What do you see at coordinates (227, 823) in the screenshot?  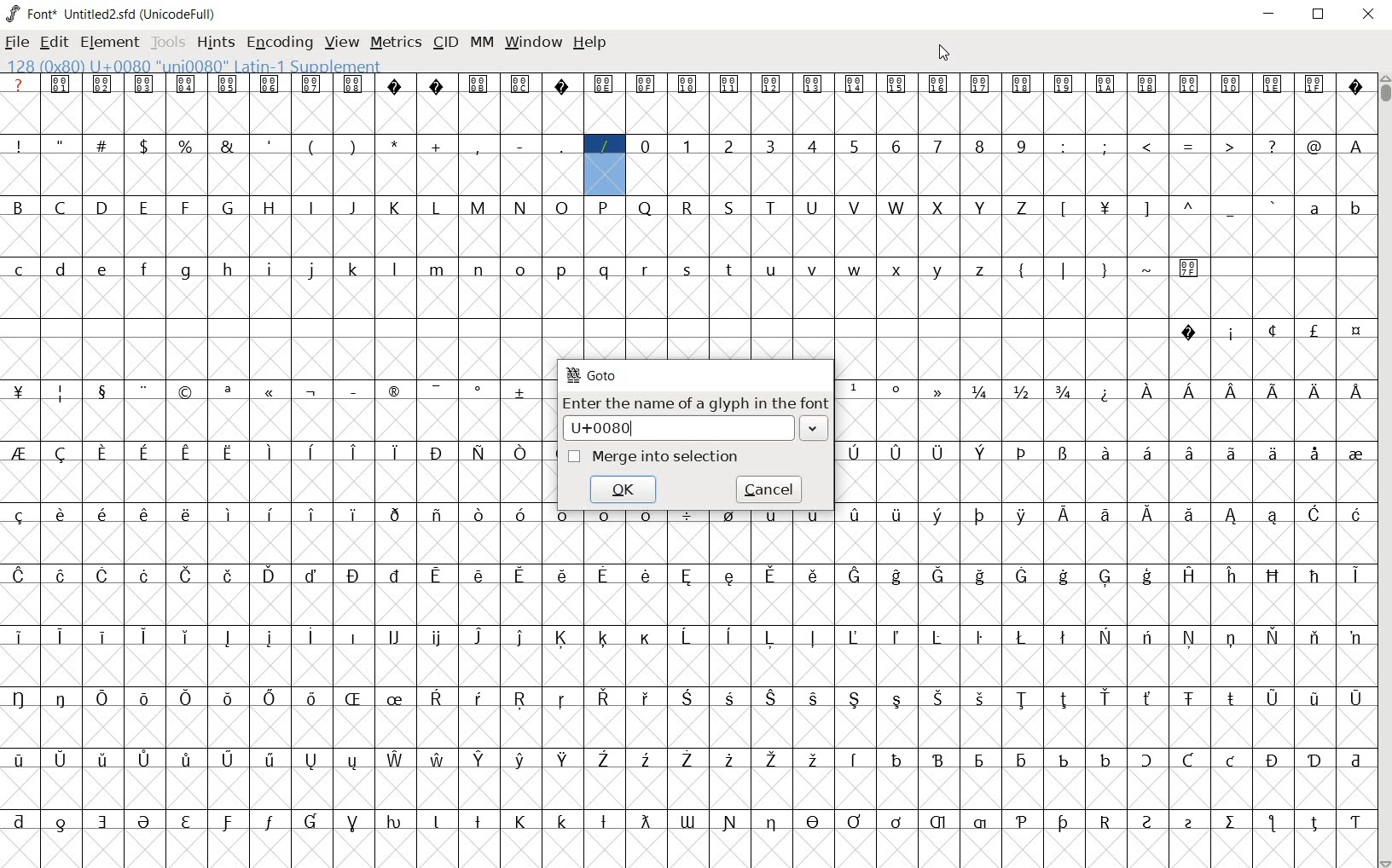 I see `glyph` at bounding box center [227, 823].